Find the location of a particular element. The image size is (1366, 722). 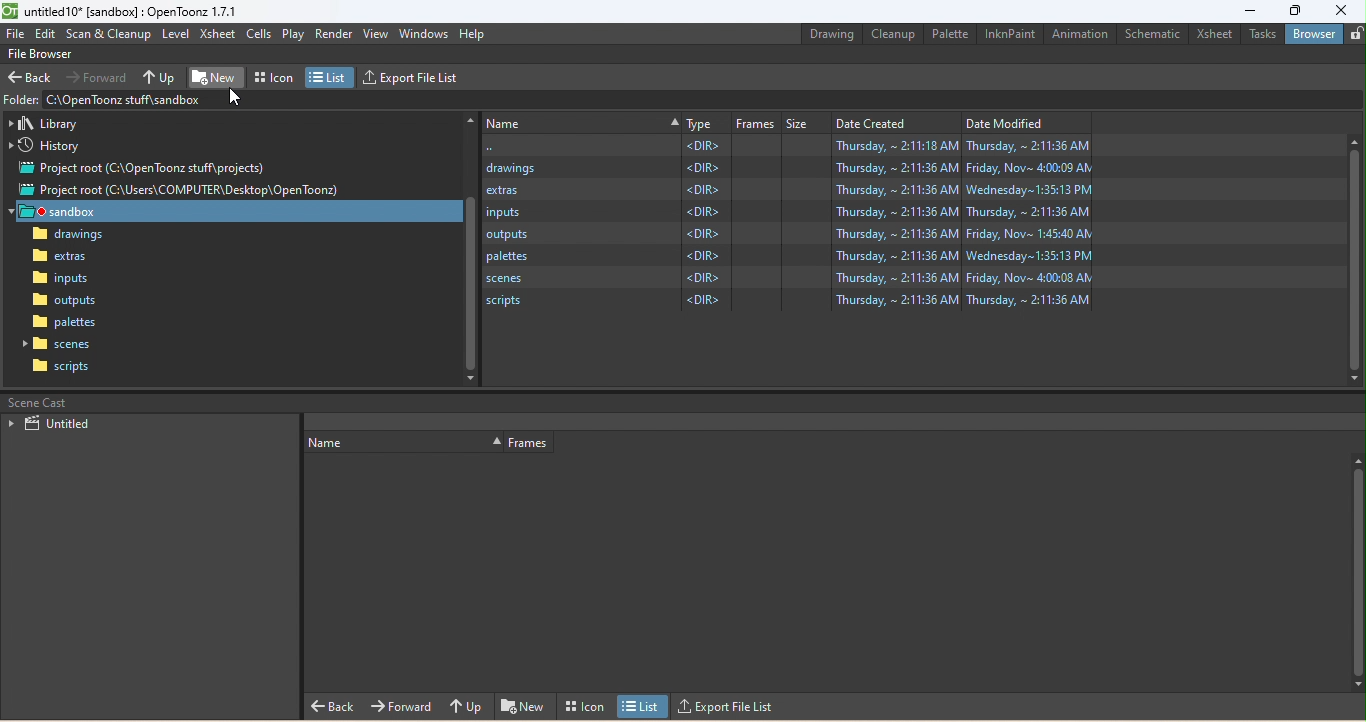

drawings is located at coordinates (785, 168).